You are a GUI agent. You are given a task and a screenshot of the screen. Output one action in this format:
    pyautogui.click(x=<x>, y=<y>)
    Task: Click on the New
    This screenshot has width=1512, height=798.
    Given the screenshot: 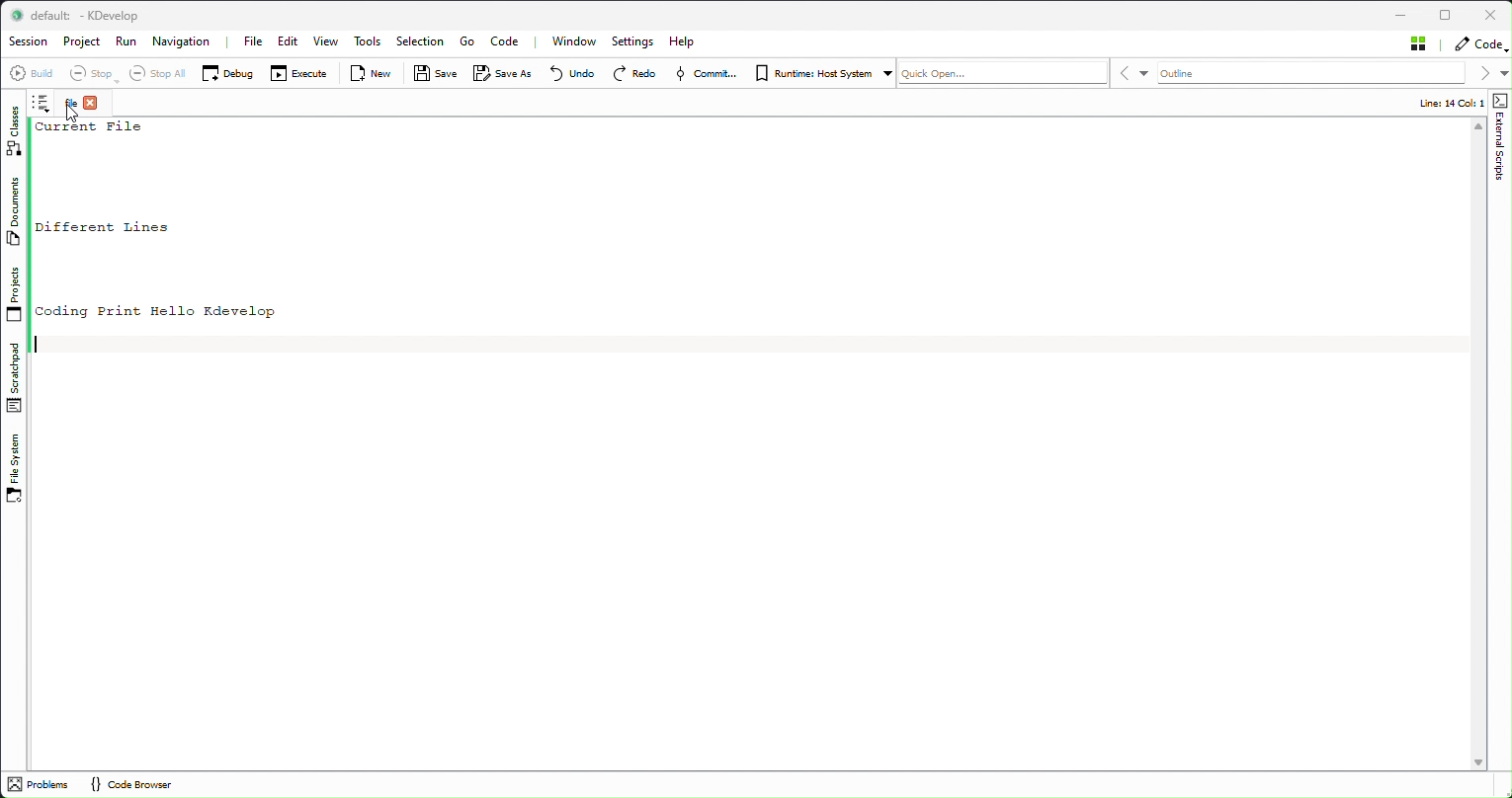 What is the action you would take?
    pyautogui.click(x=372, y=73)
    